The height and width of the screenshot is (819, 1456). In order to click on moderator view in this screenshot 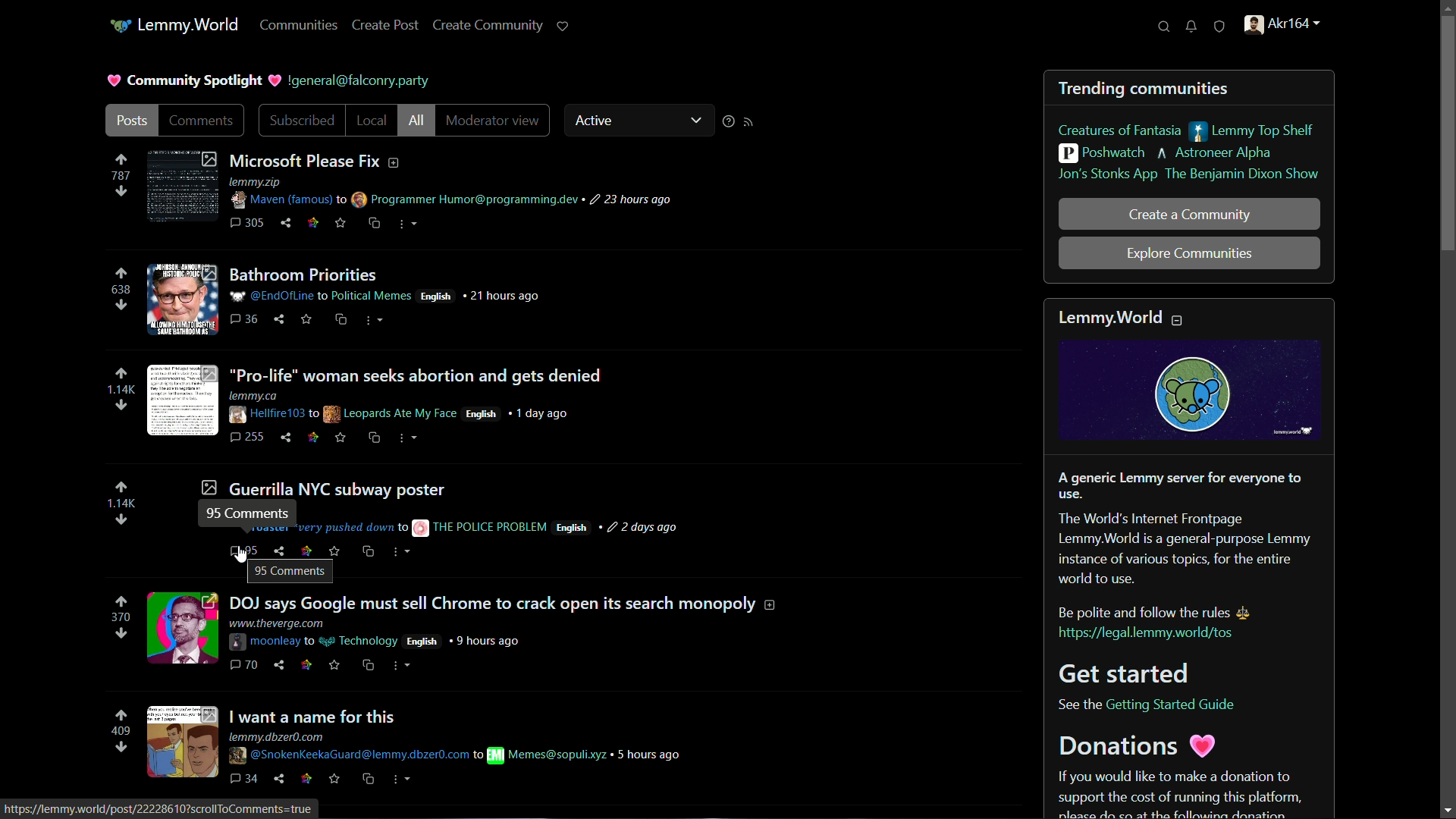, I will do `click(494, 121)`.